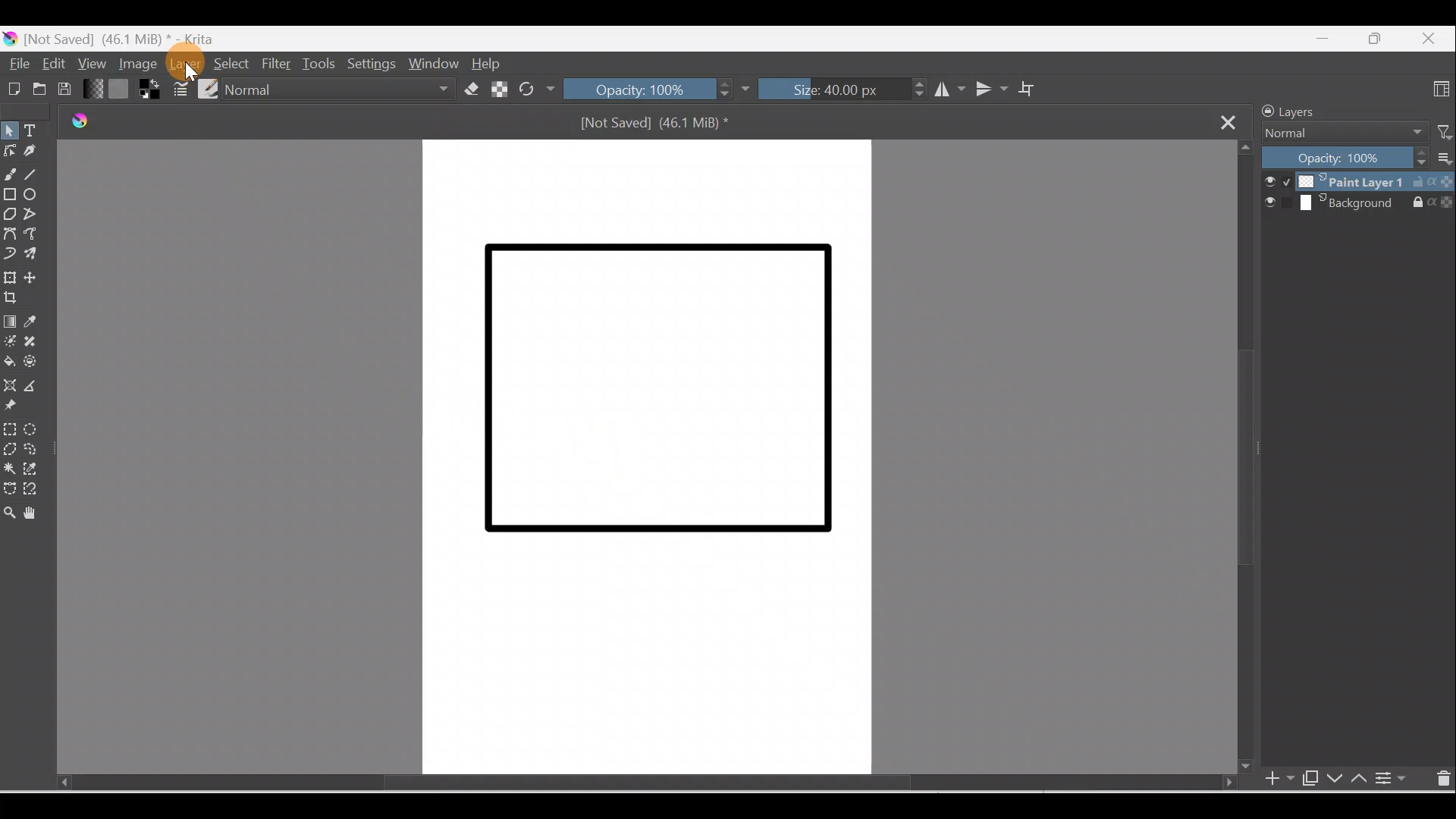  I want to click on File, so click(17, 64).